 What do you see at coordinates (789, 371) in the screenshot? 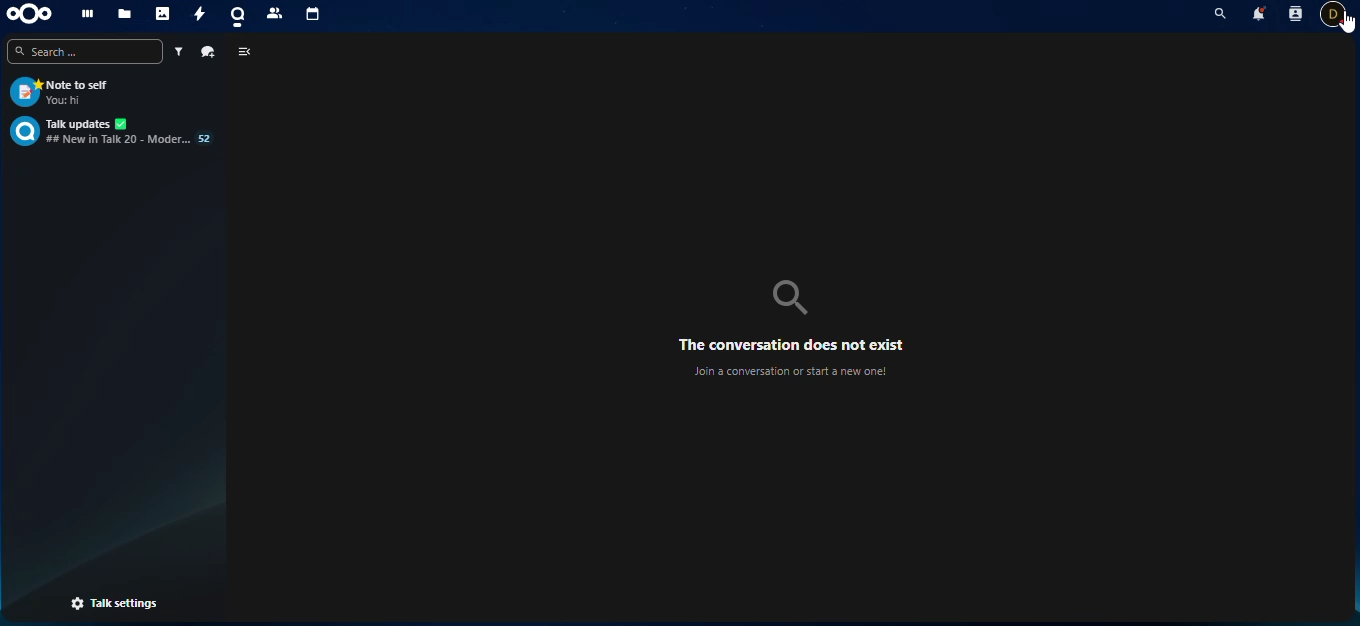
I see `Join a conversation or start a new one!` at bounding box center [789, 371].